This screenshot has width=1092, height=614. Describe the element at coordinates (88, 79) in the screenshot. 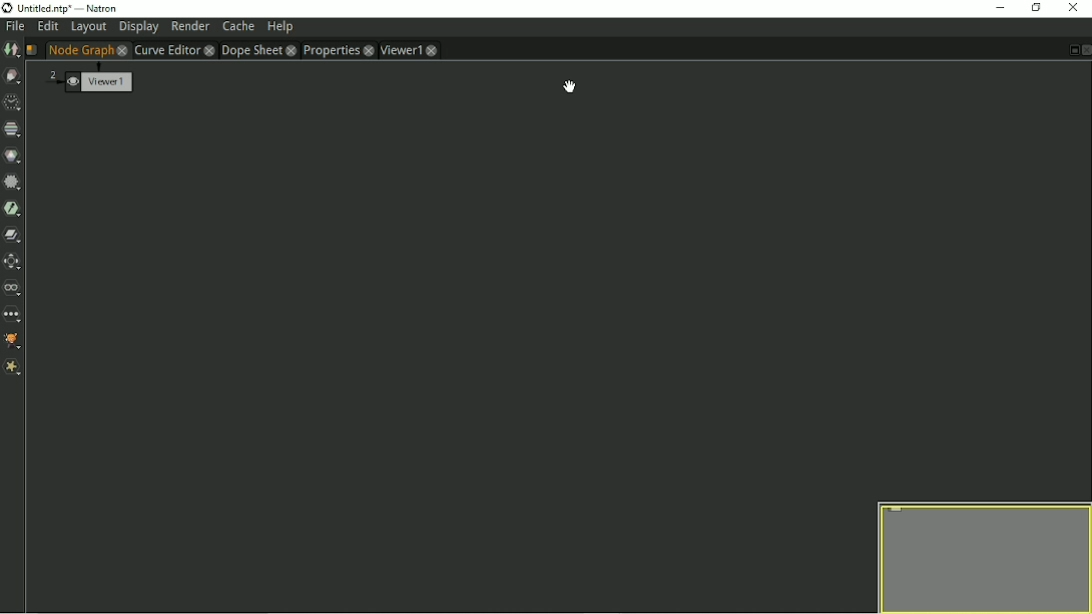

I see `Viewer1` at that location.